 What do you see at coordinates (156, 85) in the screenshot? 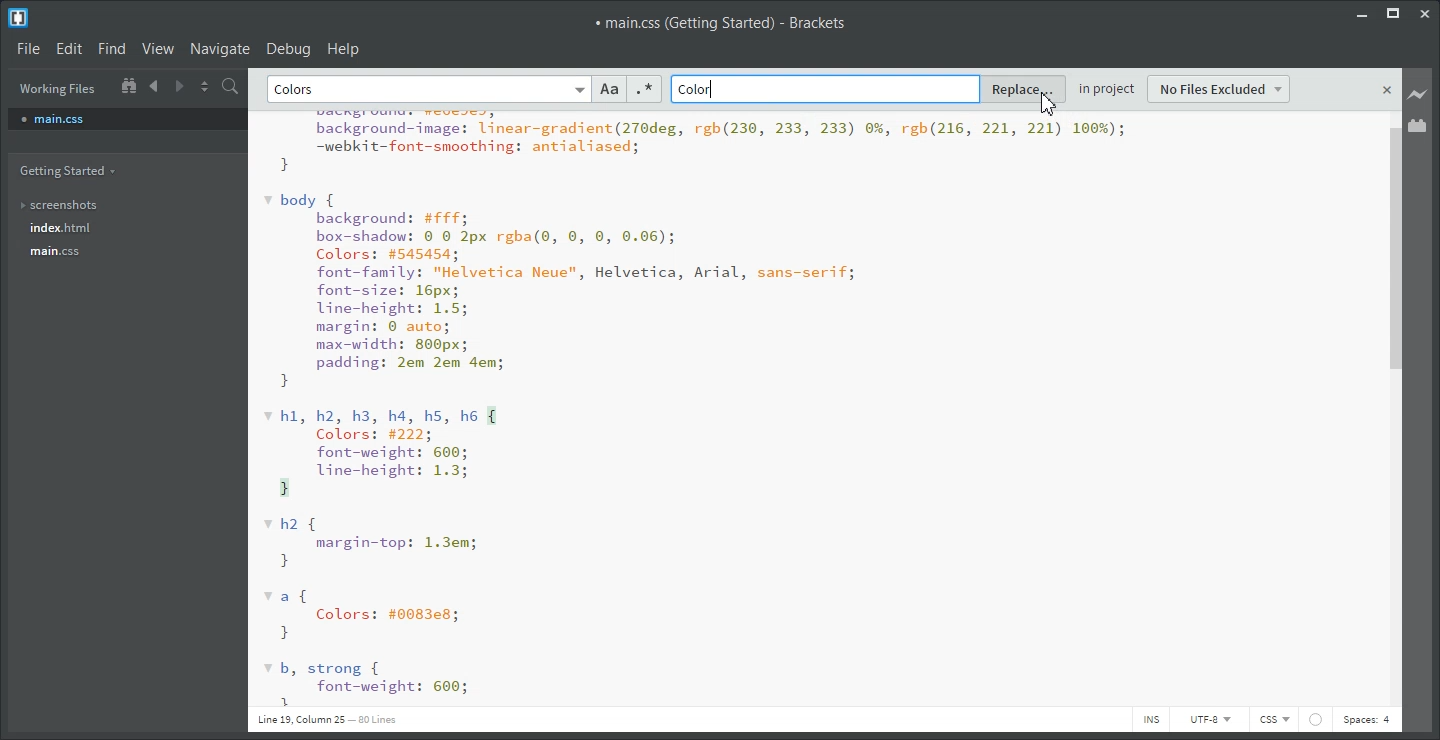
I see `Navigate Backward` at bounding box center [156, 85].